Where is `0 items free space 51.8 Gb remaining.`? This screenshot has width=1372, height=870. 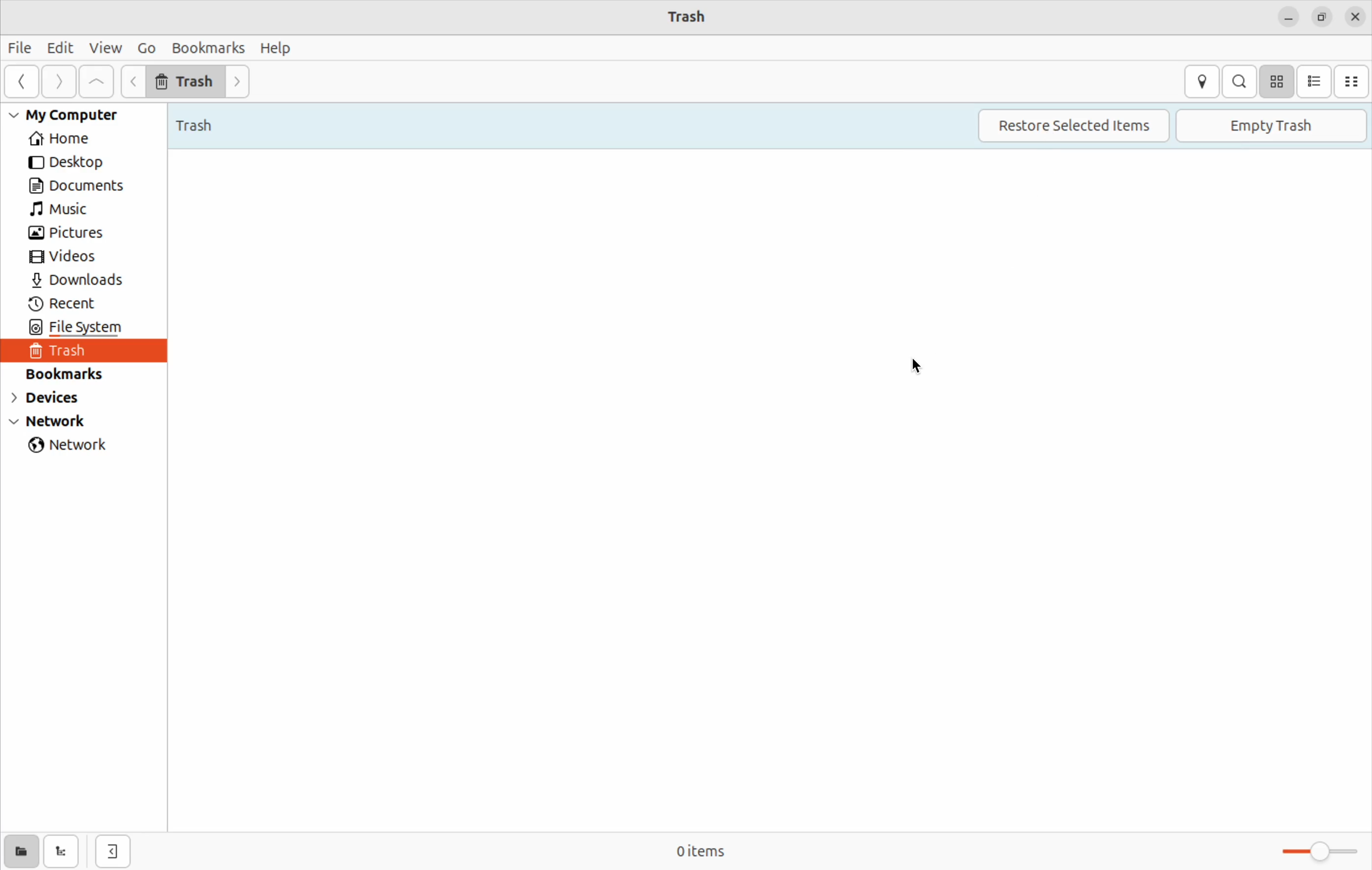 0 items free space 51.8 Gb remaining. is located at coordinates (692, 851).